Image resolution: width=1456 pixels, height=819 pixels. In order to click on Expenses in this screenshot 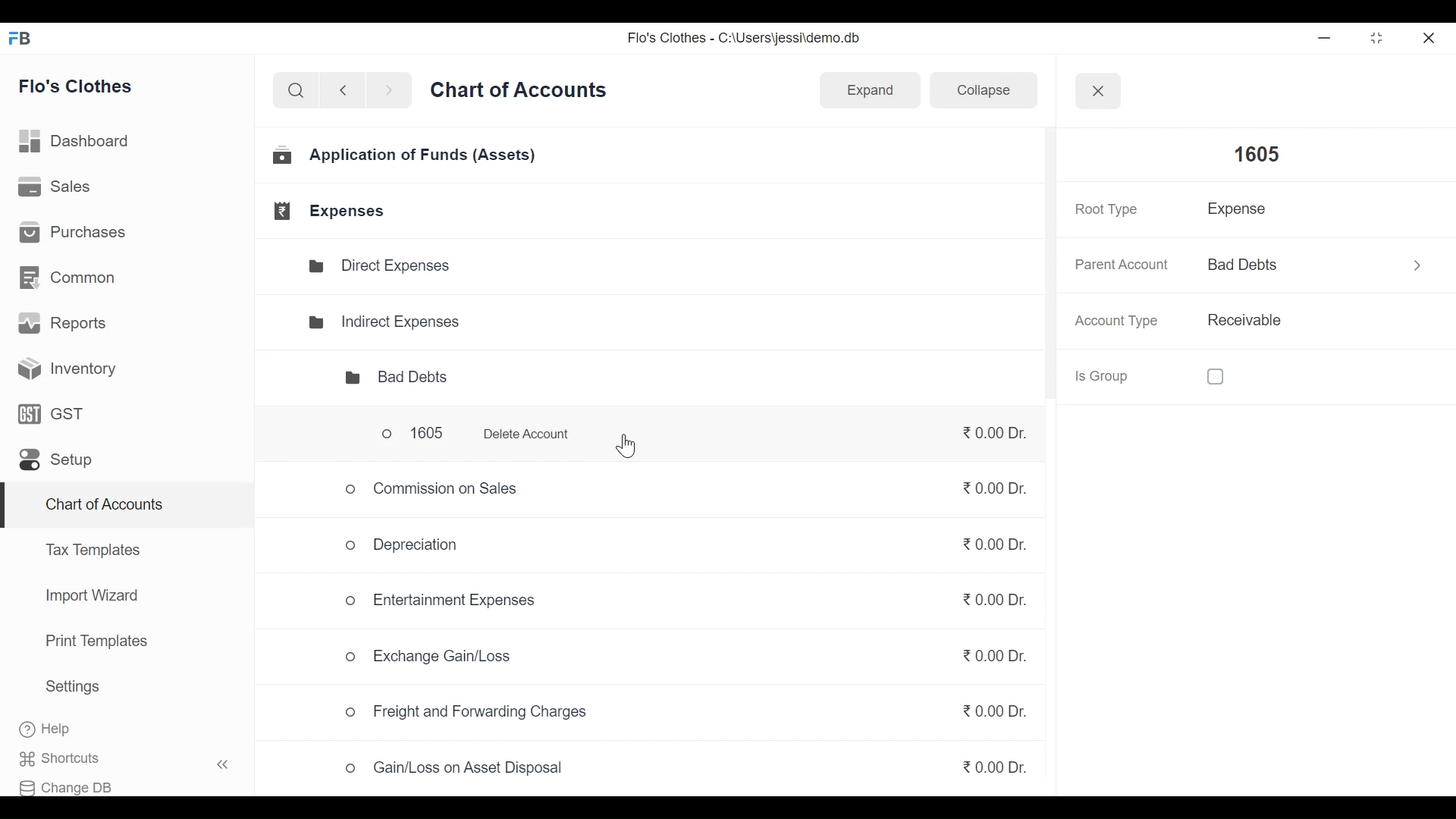, I will do `click(332, 211)`.